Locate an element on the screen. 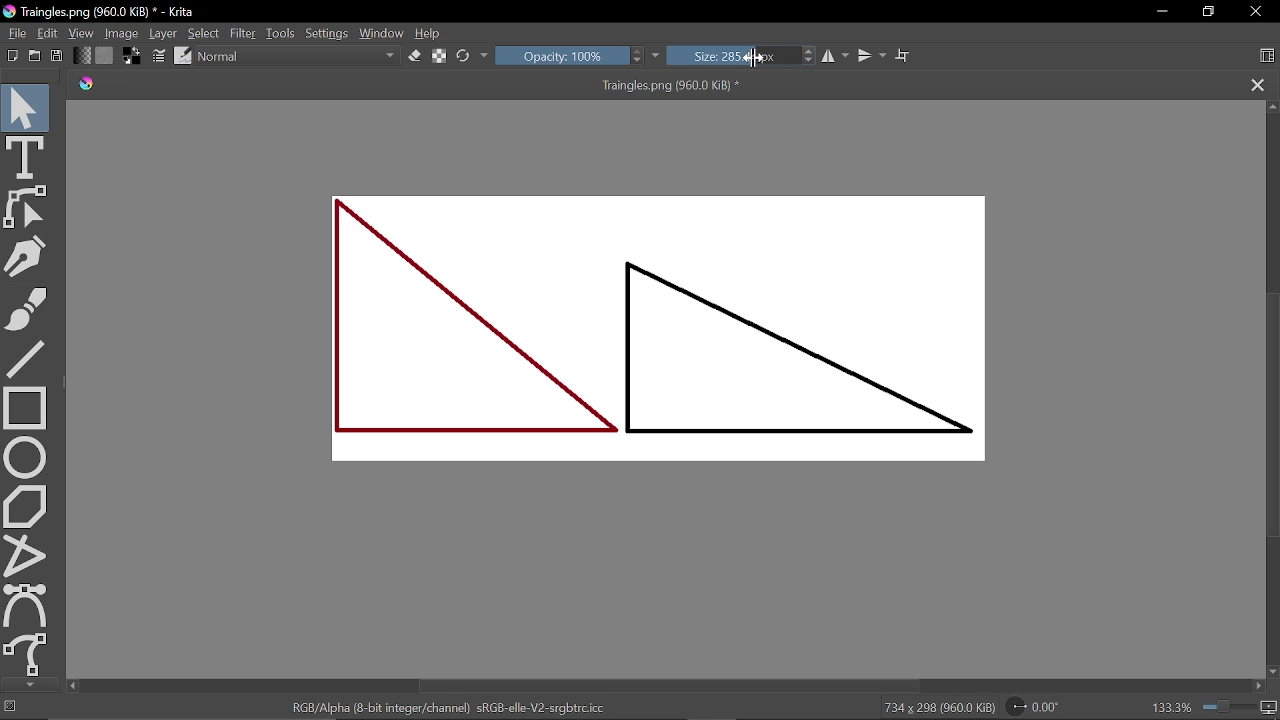 This screenshot has width=1280, height=720. Image is located at coordinates (121, 34).